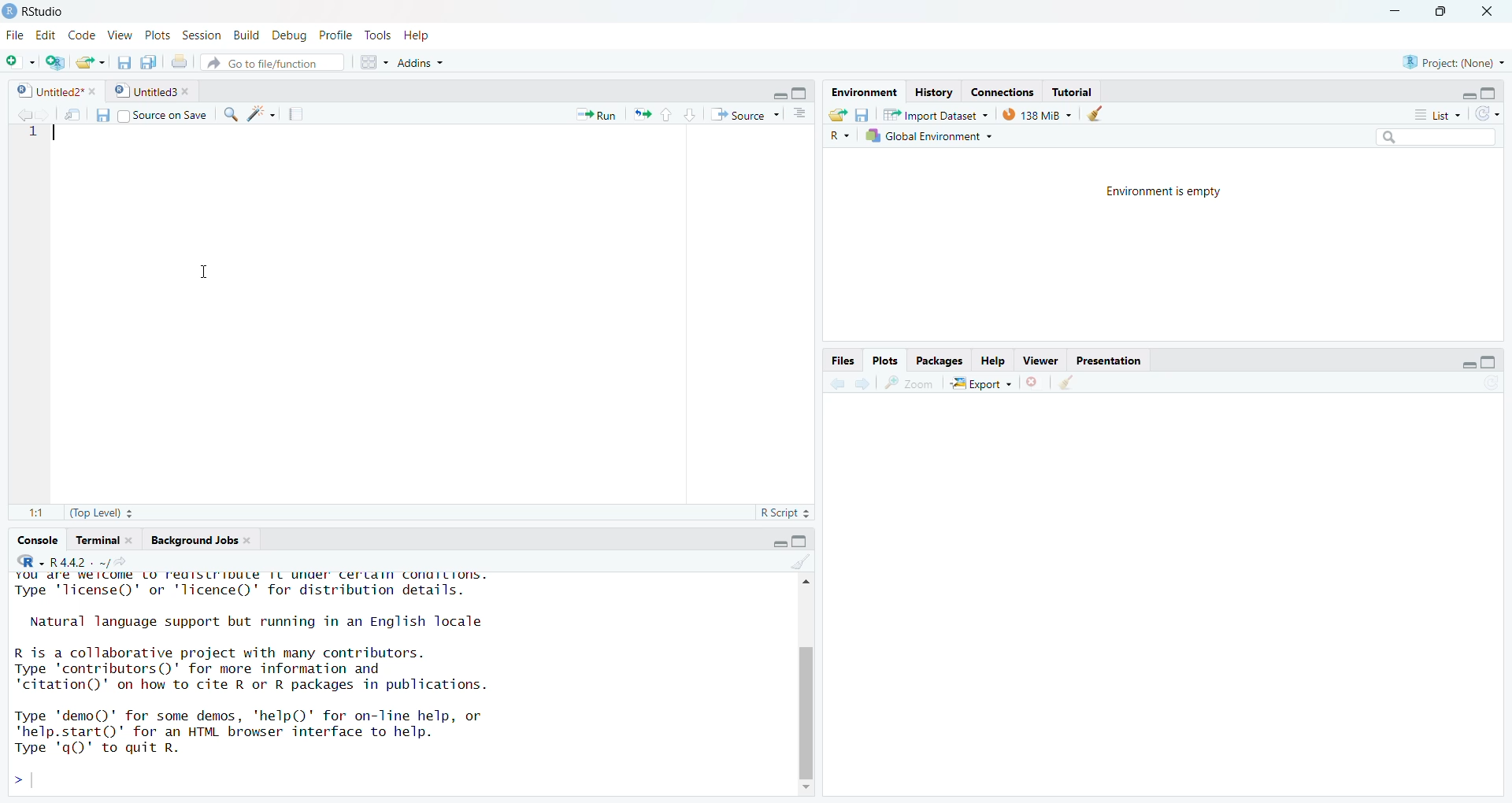 Image resolution: width=1512 pixels, height=803 pixels. Describe the element at coordinates (779, 540) in the screenshot. I see `Maximise/minimise` at that location.